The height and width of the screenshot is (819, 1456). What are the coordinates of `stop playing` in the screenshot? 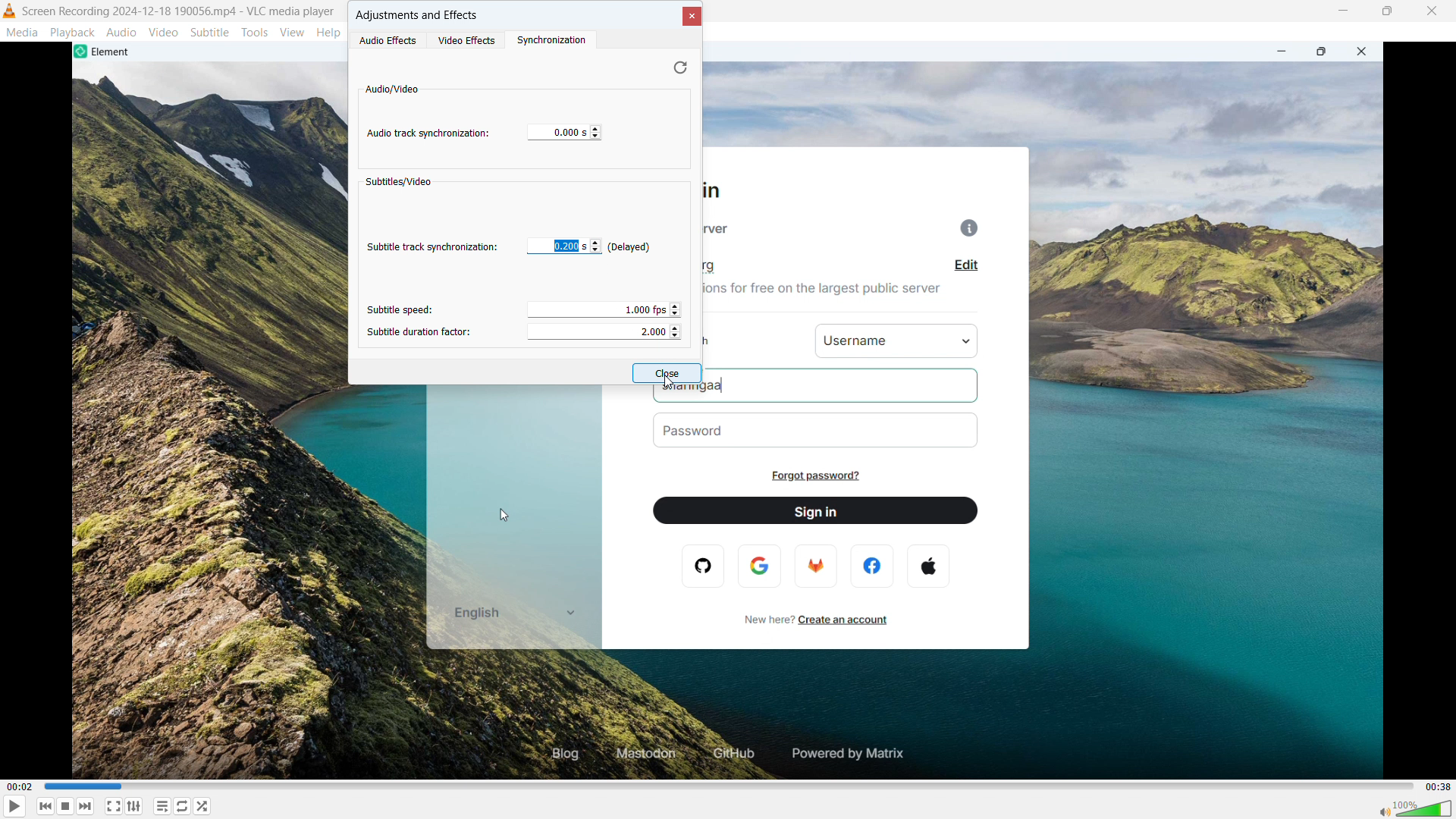 It's located at (65, 806).